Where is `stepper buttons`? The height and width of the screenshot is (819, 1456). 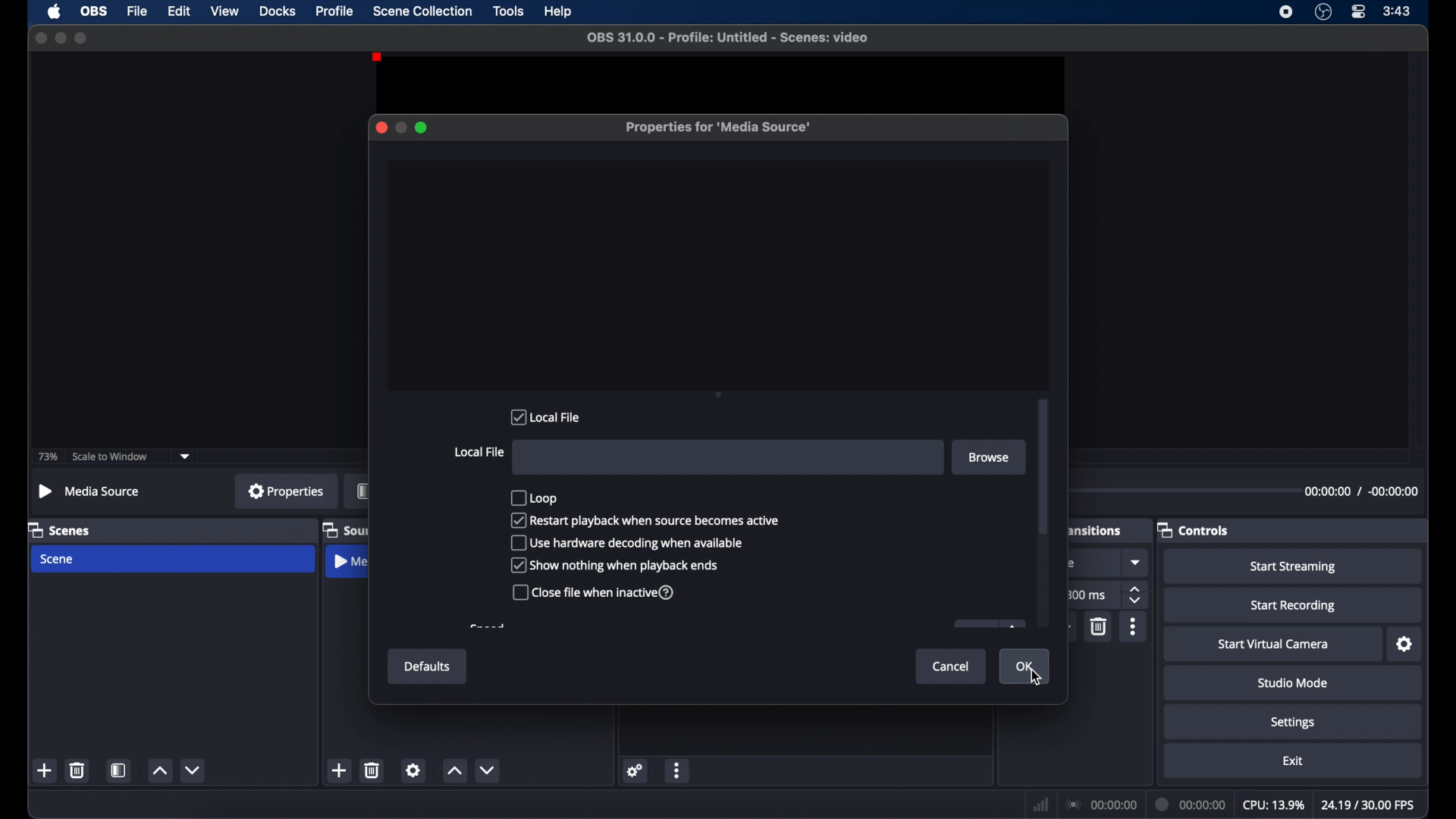
stepper buttons is located at coordinates (1134, 595).